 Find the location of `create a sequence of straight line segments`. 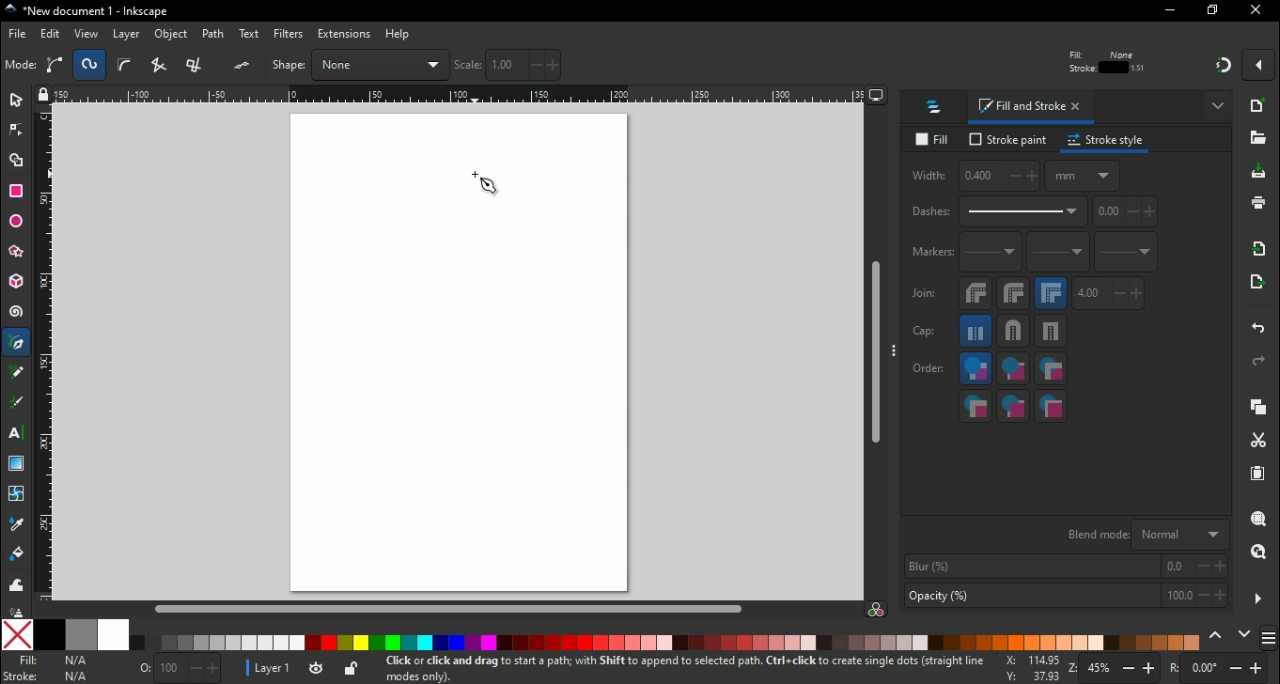

create a sequence of straight line segments is located at coordinates (162, 65).